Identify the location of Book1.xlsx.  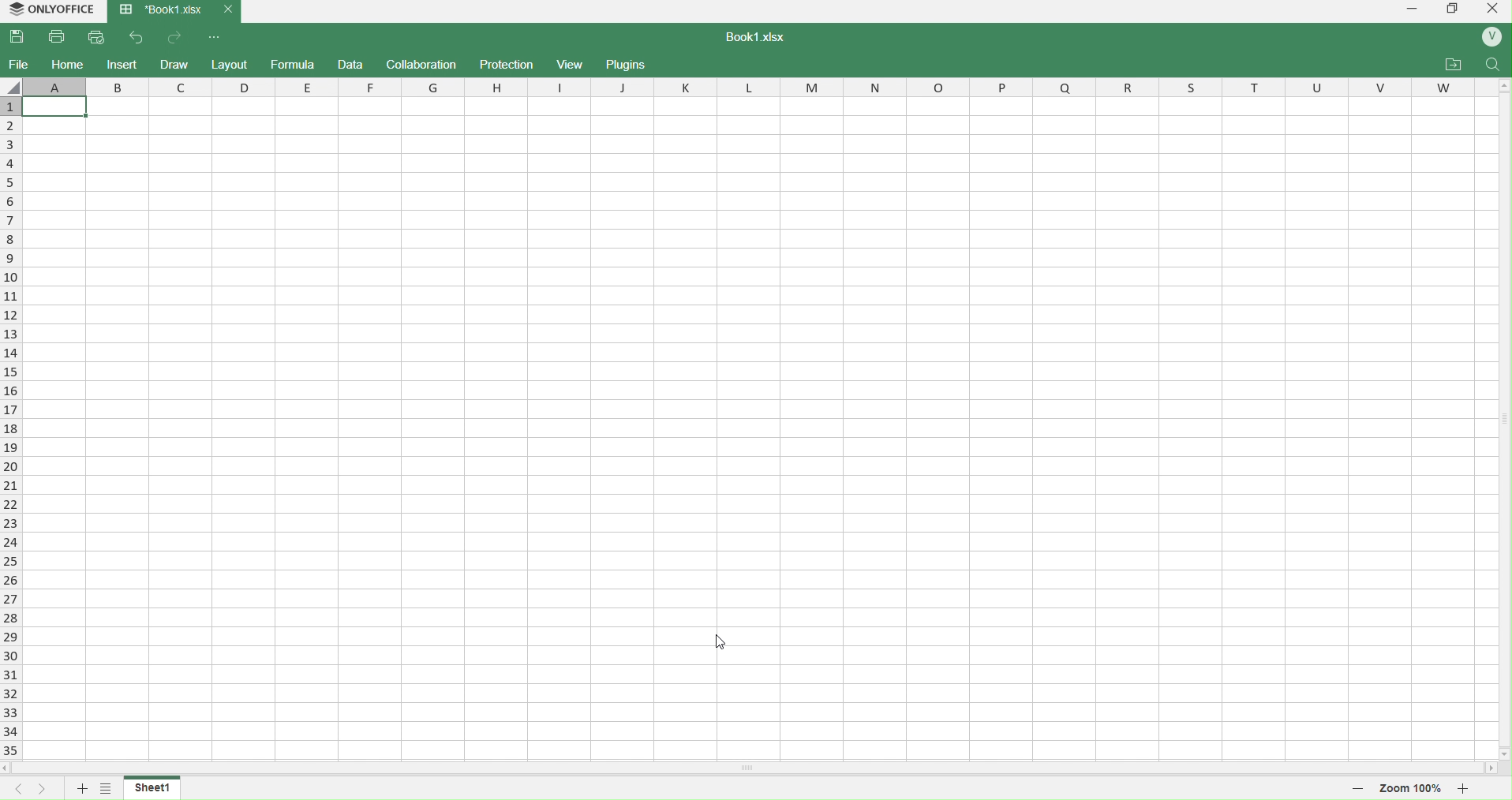
(159, 11).